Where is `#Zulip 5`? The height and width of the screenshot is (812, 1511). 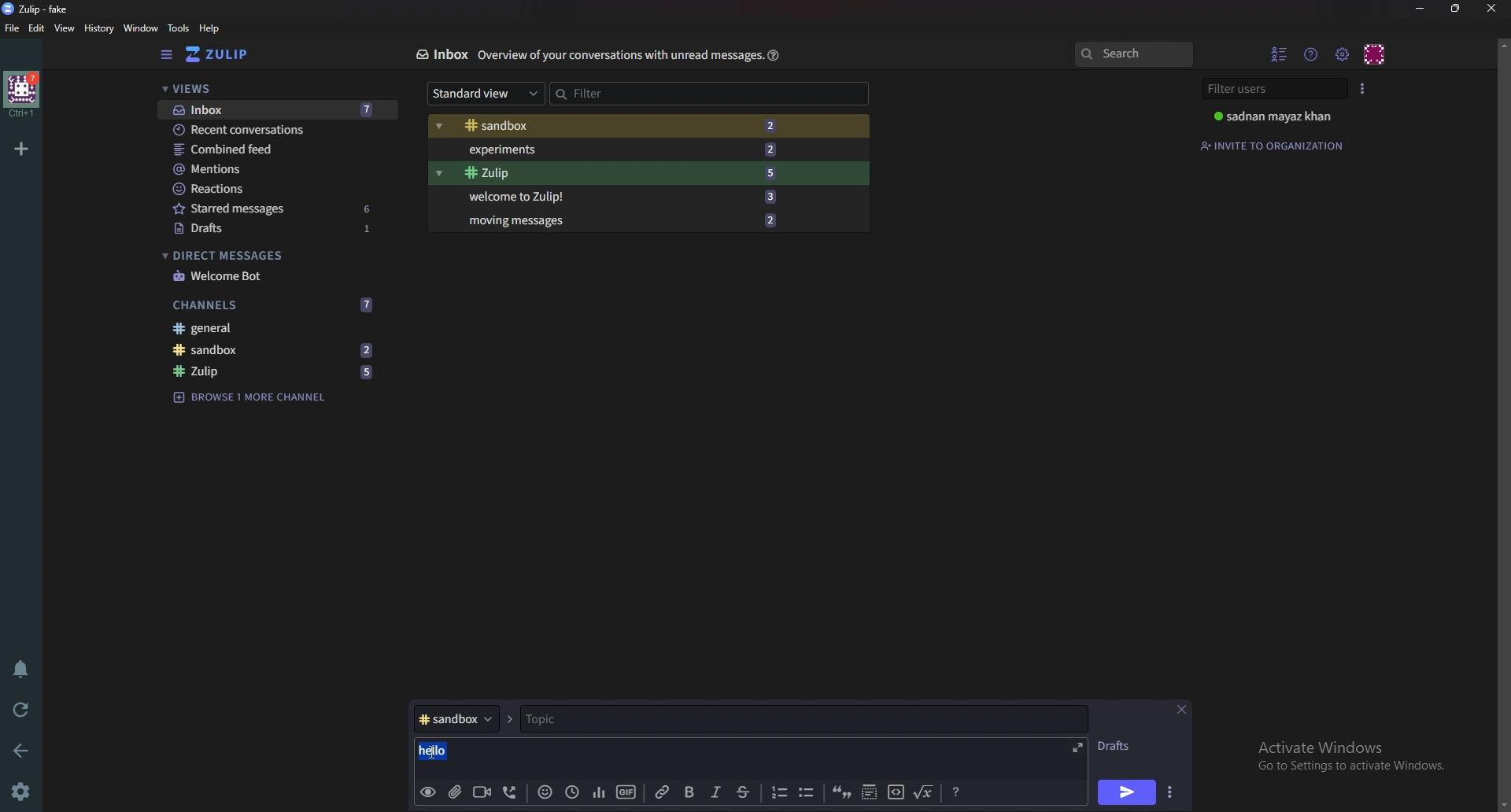
#Zulip 5 is located at coordinates (278, 370).